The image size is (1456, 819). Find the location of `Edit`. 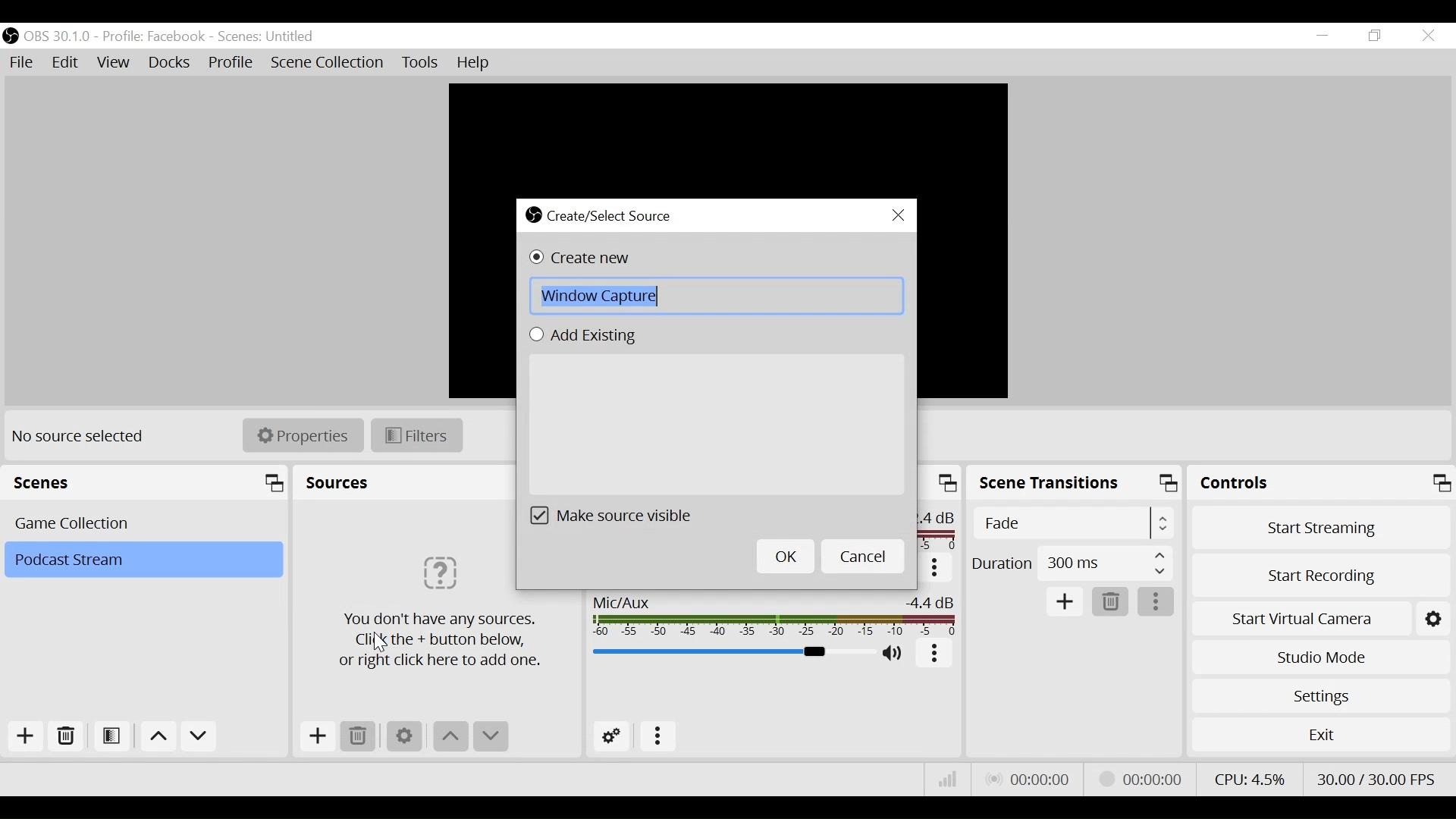

Edit is located at coordinates (65, 63).